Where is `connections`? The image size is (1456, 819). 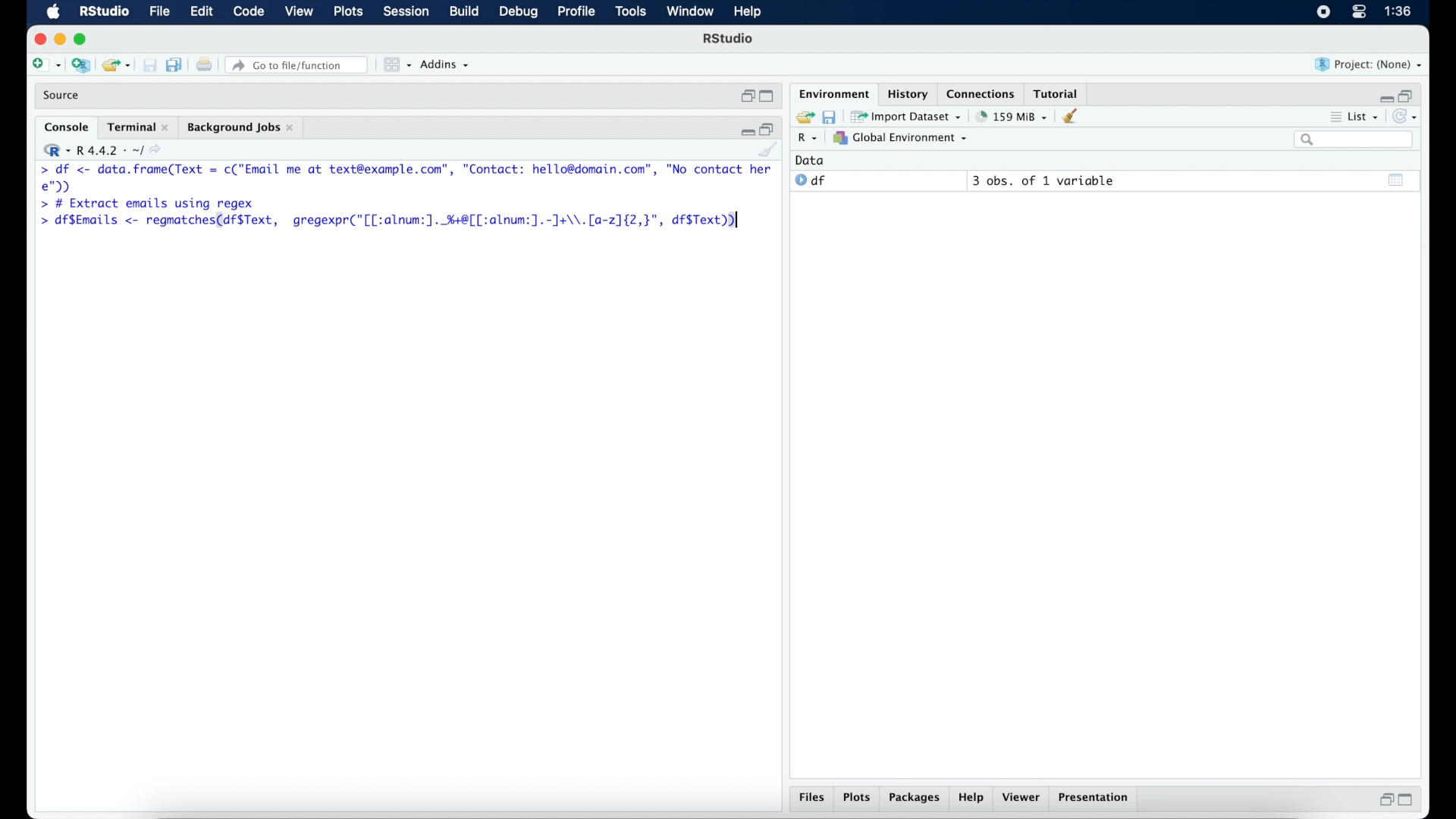
connections is located at coordinates (983, 93).